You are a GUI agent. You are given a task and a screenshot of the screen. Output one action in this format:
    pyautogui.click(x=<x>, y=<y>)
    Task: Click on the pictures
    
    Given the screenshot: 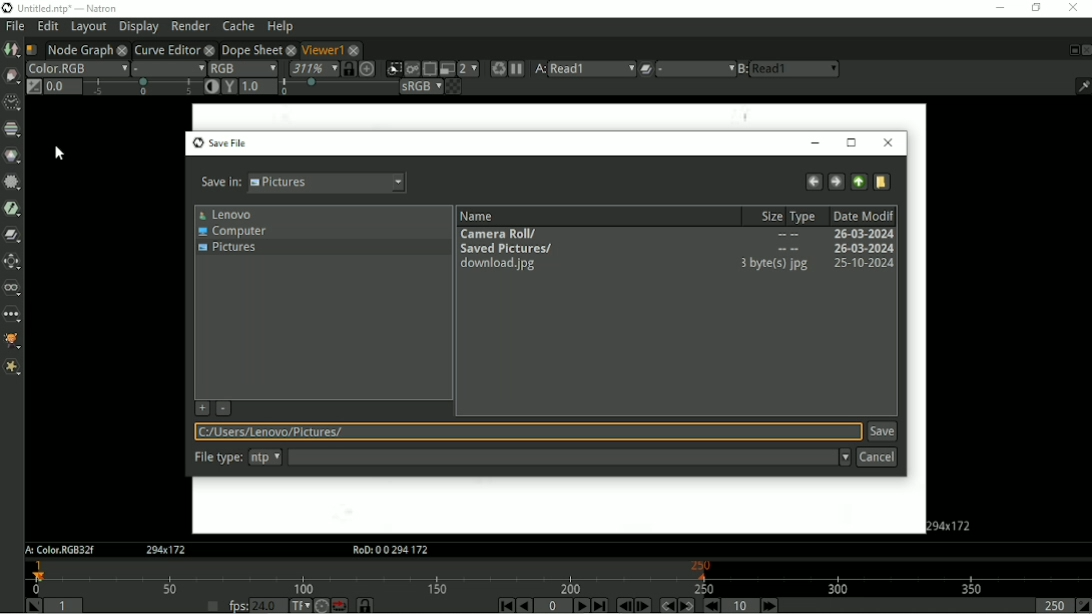 What is the action you would take?
    pyautogui.click(x=339, y=184)
    